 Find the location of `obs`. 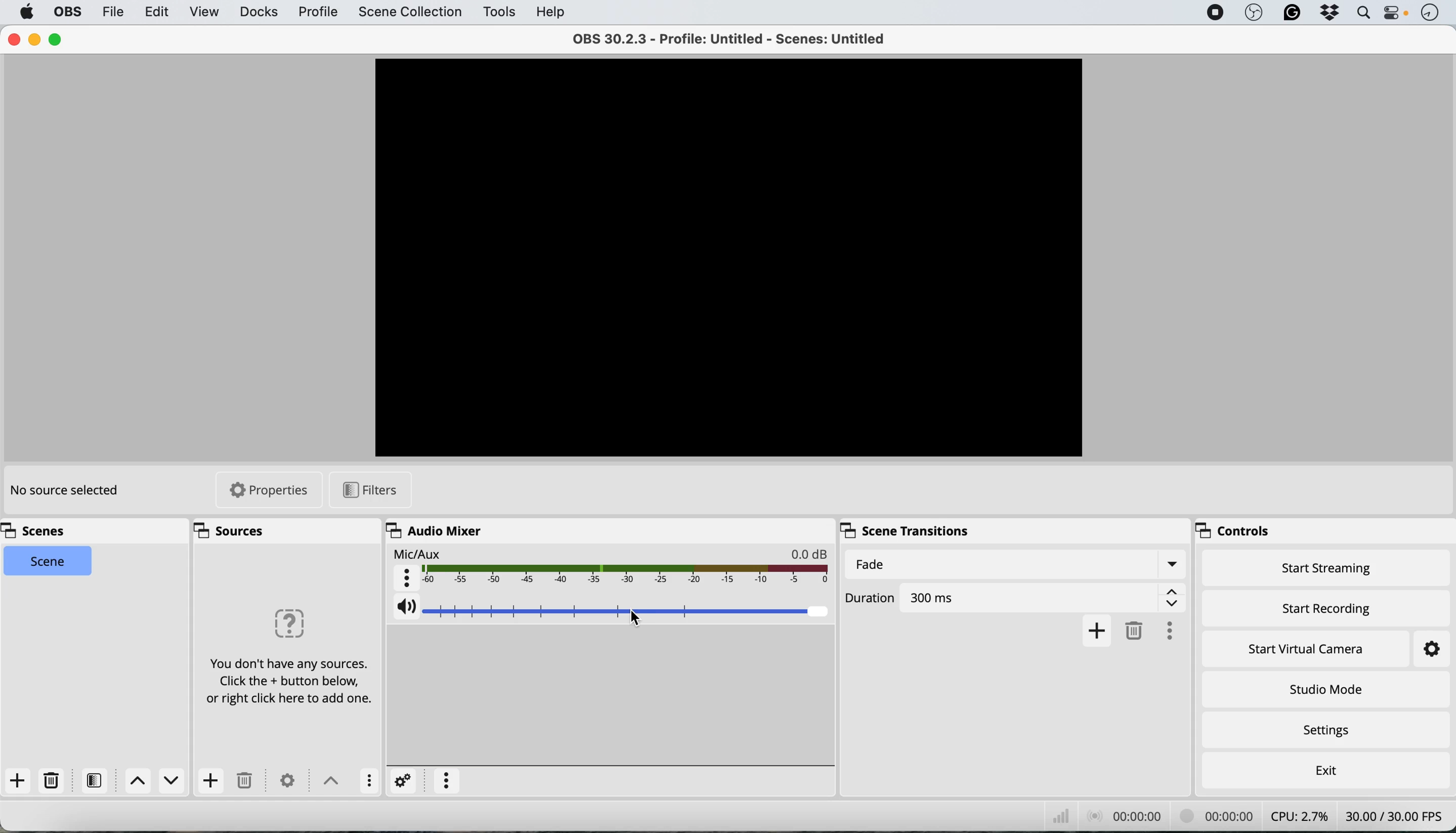

obs is located at coordinates (66, 13).